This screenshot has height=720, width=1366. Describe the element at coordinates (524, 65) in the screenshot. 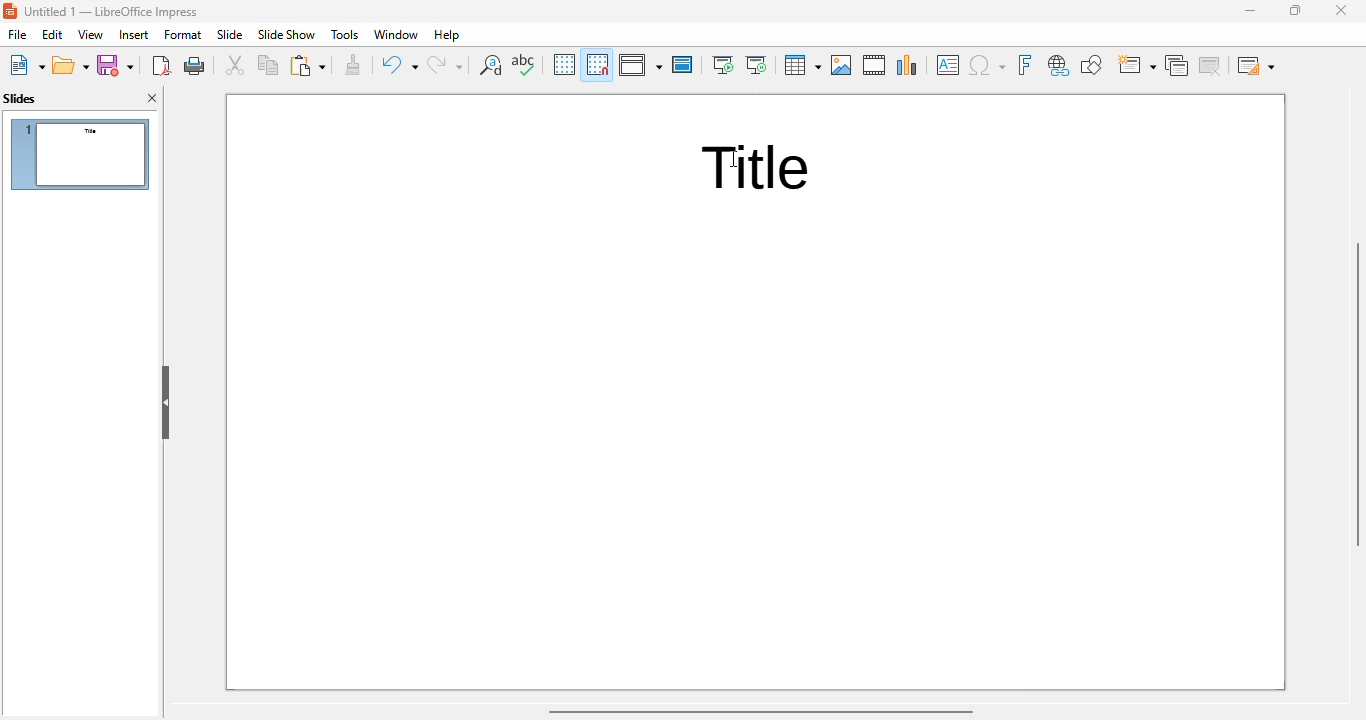

I see `spelling` at that location.